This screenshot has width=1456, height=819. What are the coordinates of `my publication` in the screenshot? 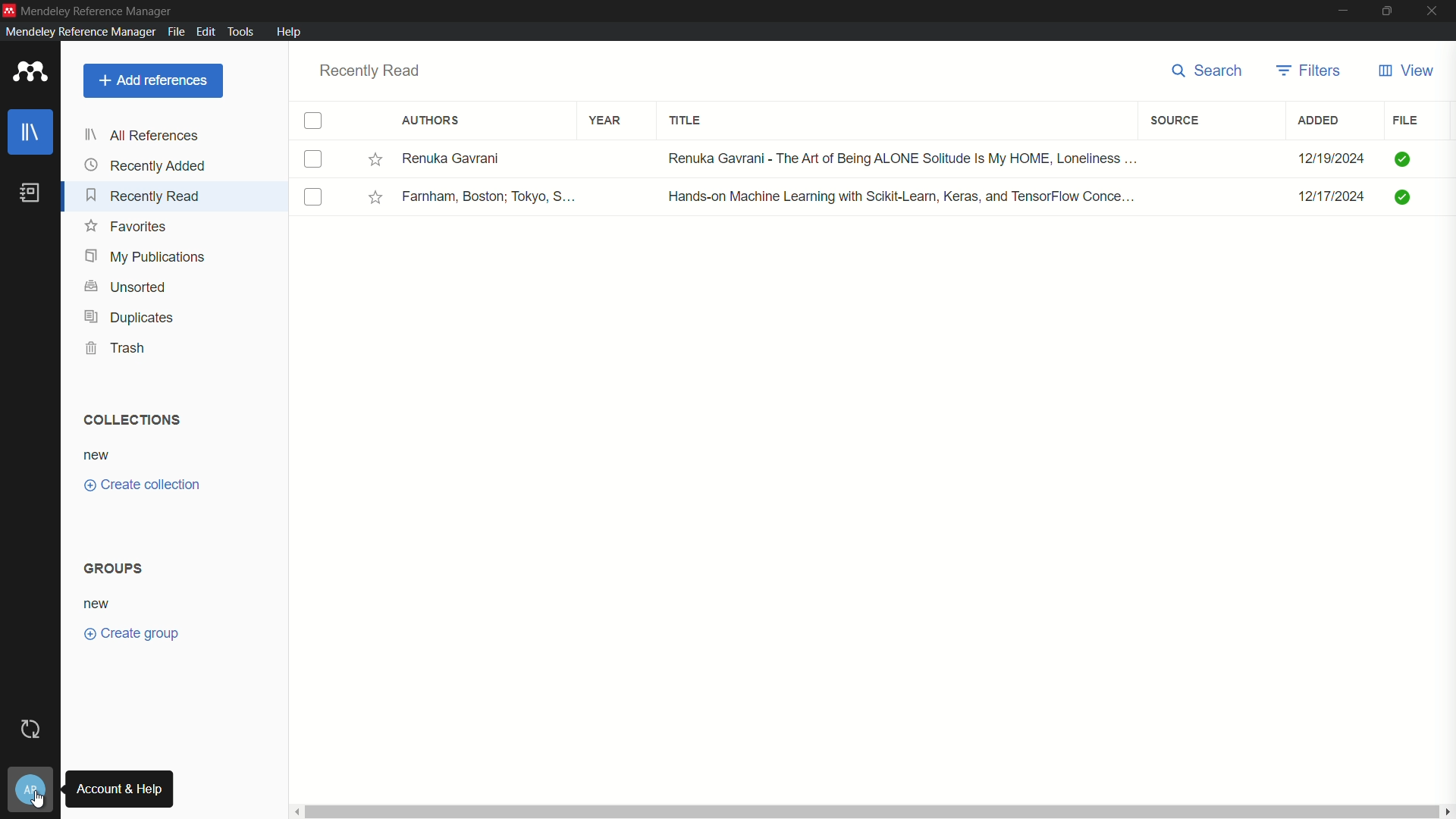 It's located at (141, 256).